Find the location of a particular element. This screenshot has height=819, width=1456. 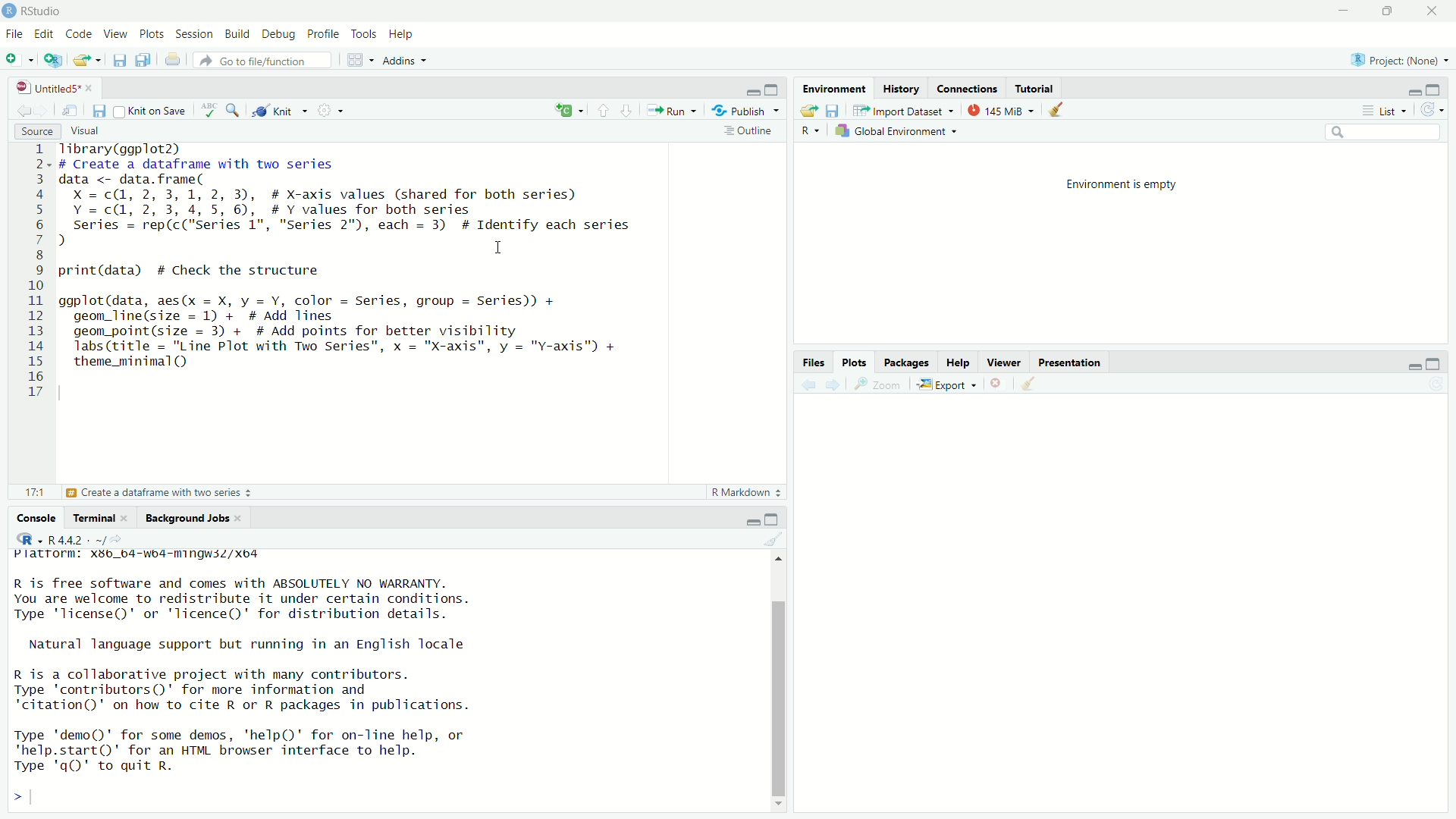

Minimize is located at coordinates (751, 91).